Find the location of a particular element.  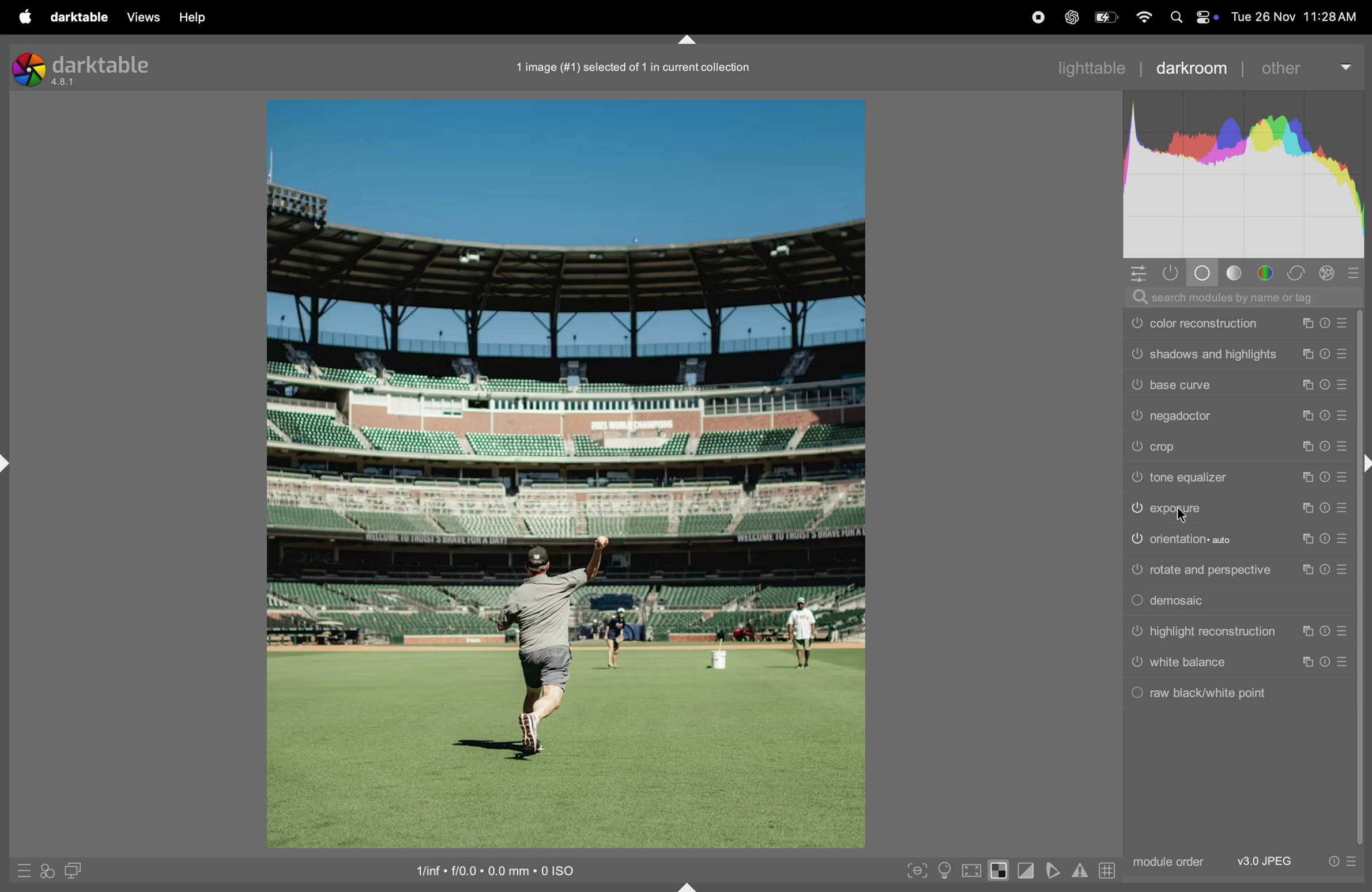

Presets  is located at coordinates (1344, 384).